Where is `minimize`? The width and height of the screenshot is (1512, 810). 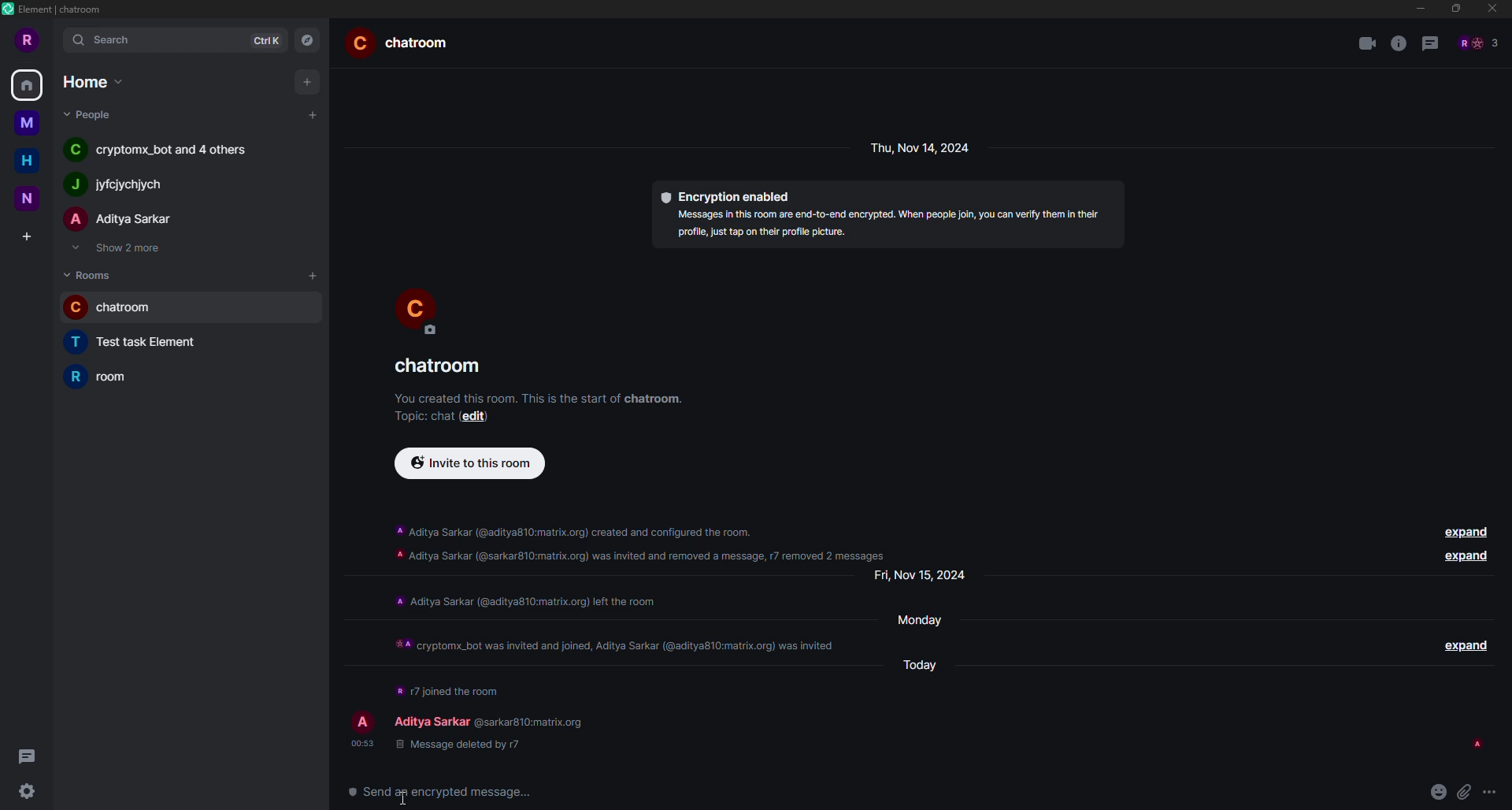
minimize is located at coordinates (1417, 8).